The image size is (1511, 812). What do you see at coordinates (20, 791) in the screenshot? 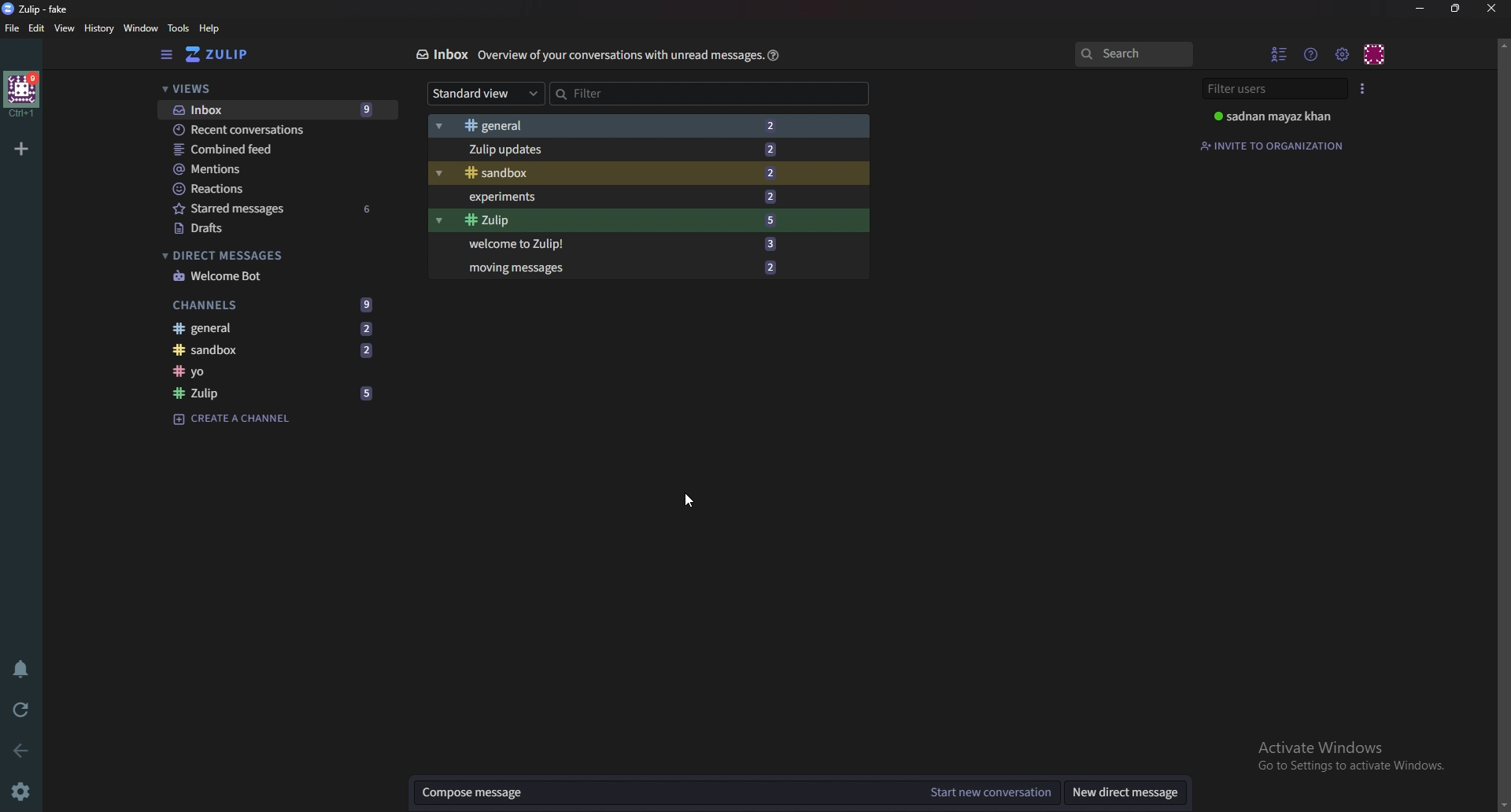
I see `settings` at bounding box center [20, 791].